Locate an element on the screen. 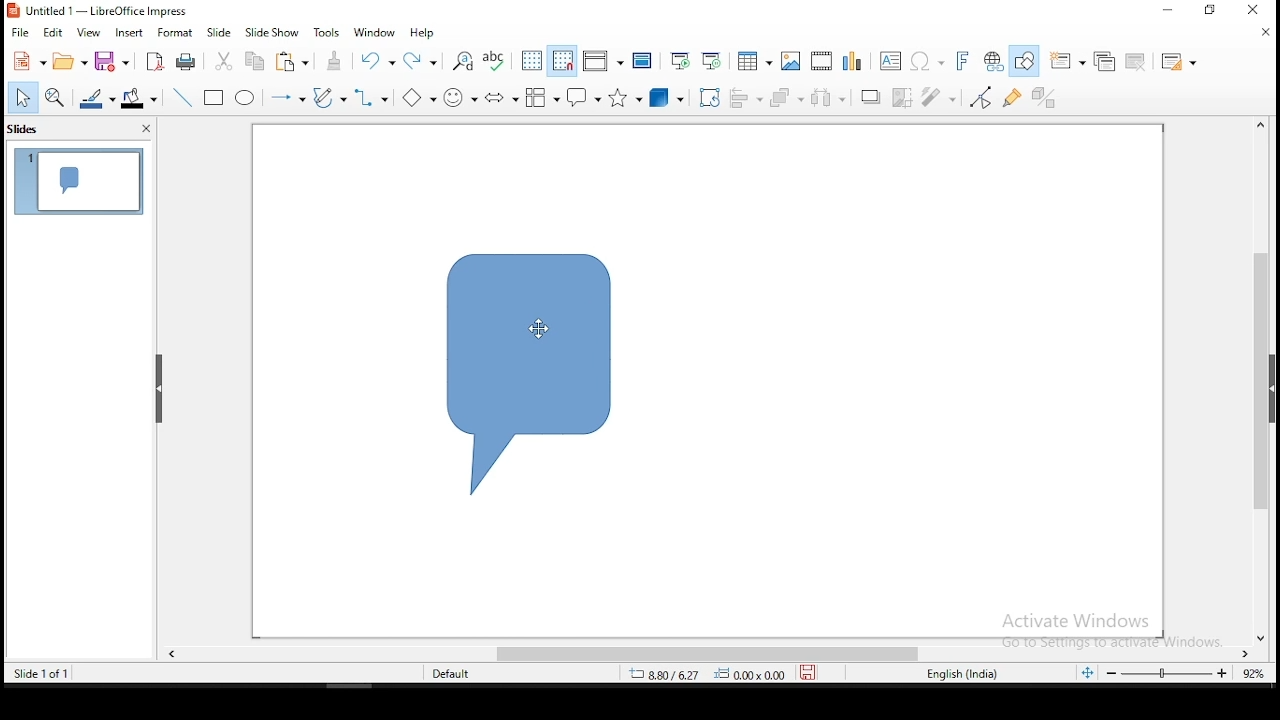 Image resolution: width=1280 pixels, height=720 pixels. basic shapes is located at coordinates (419, 98).